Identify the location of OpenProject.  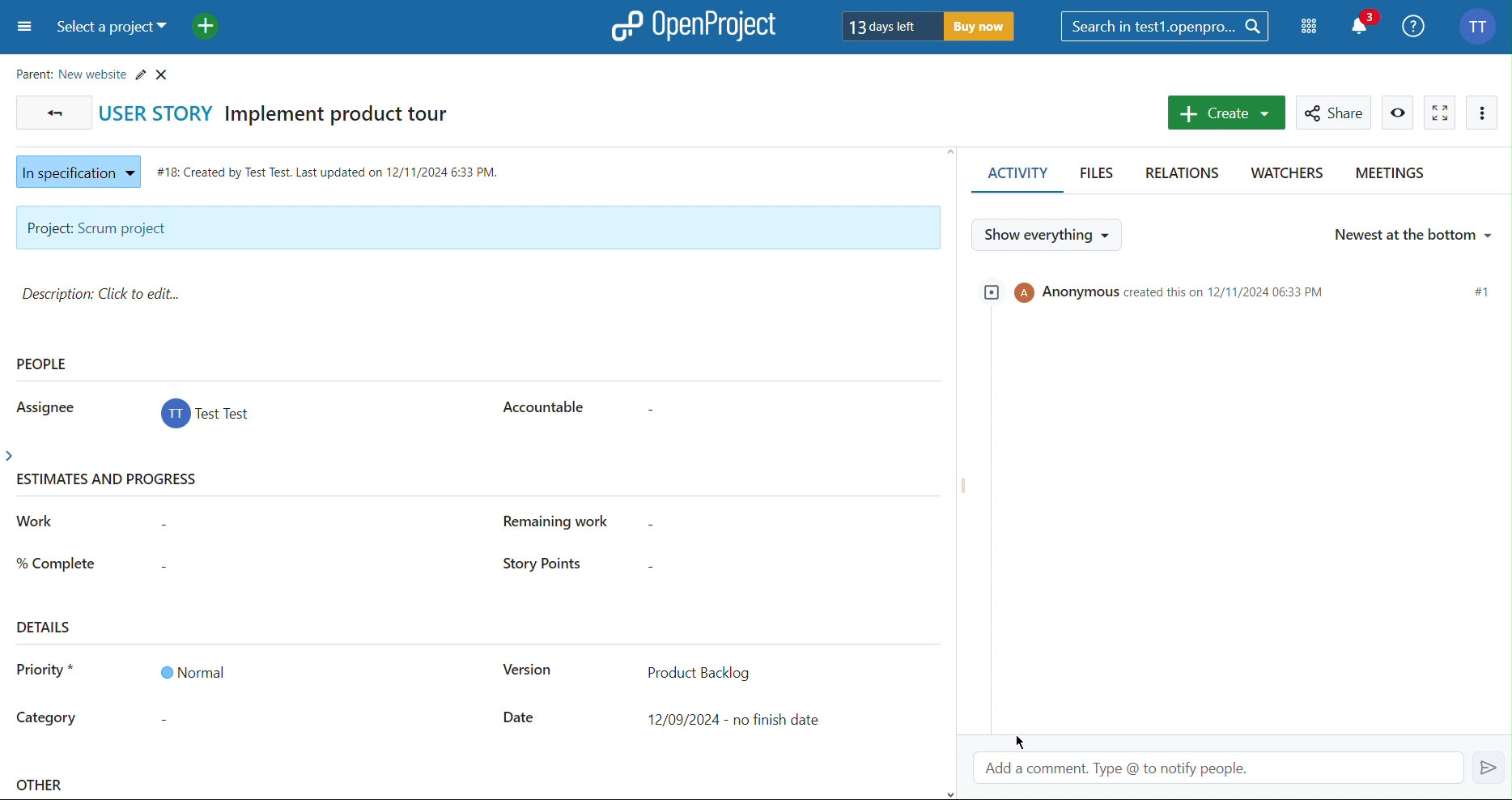
(695, 25).